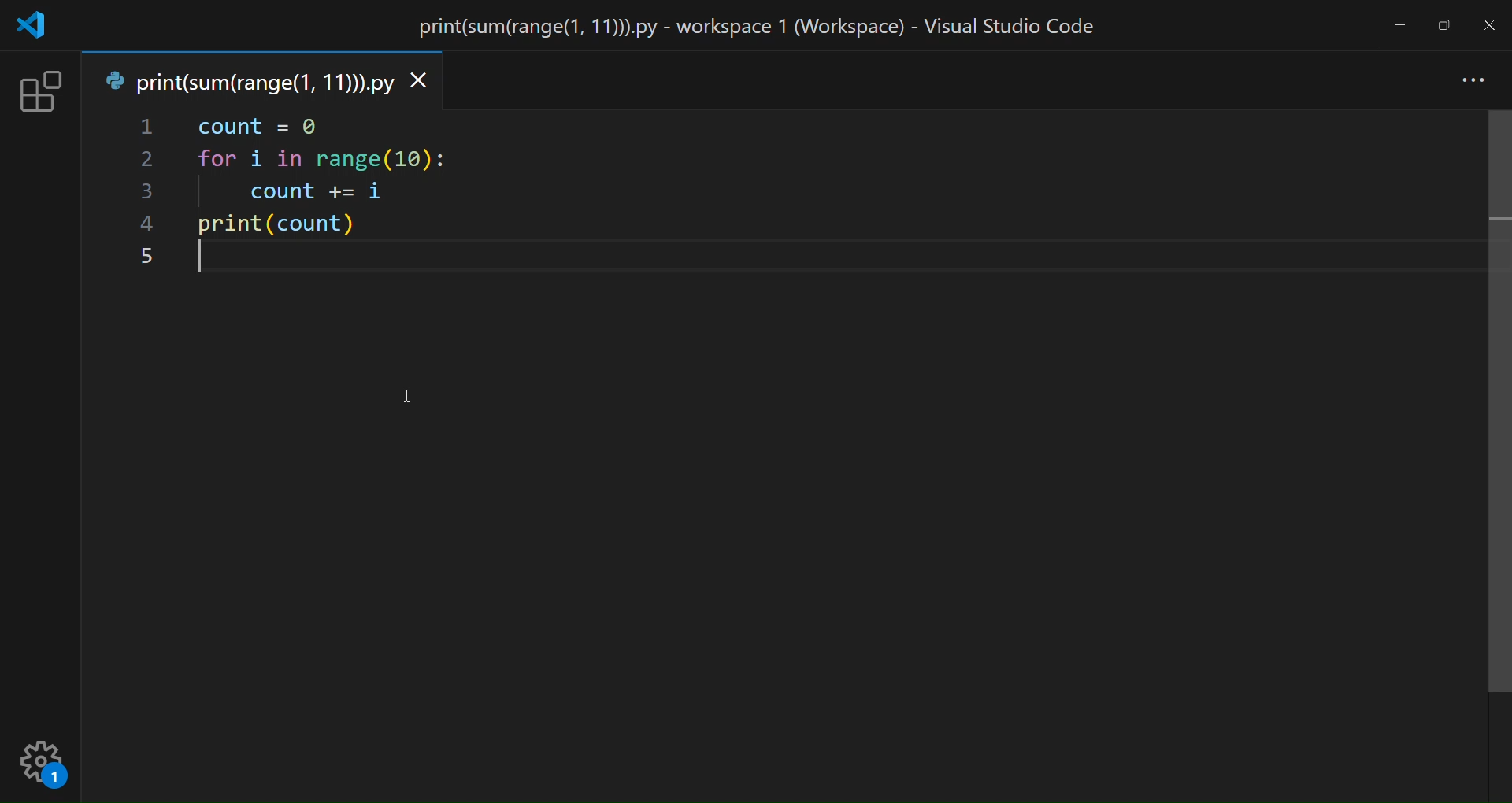  Describe the element at coordinates (47, 764) in the screenshot. I see `setting` at that location.